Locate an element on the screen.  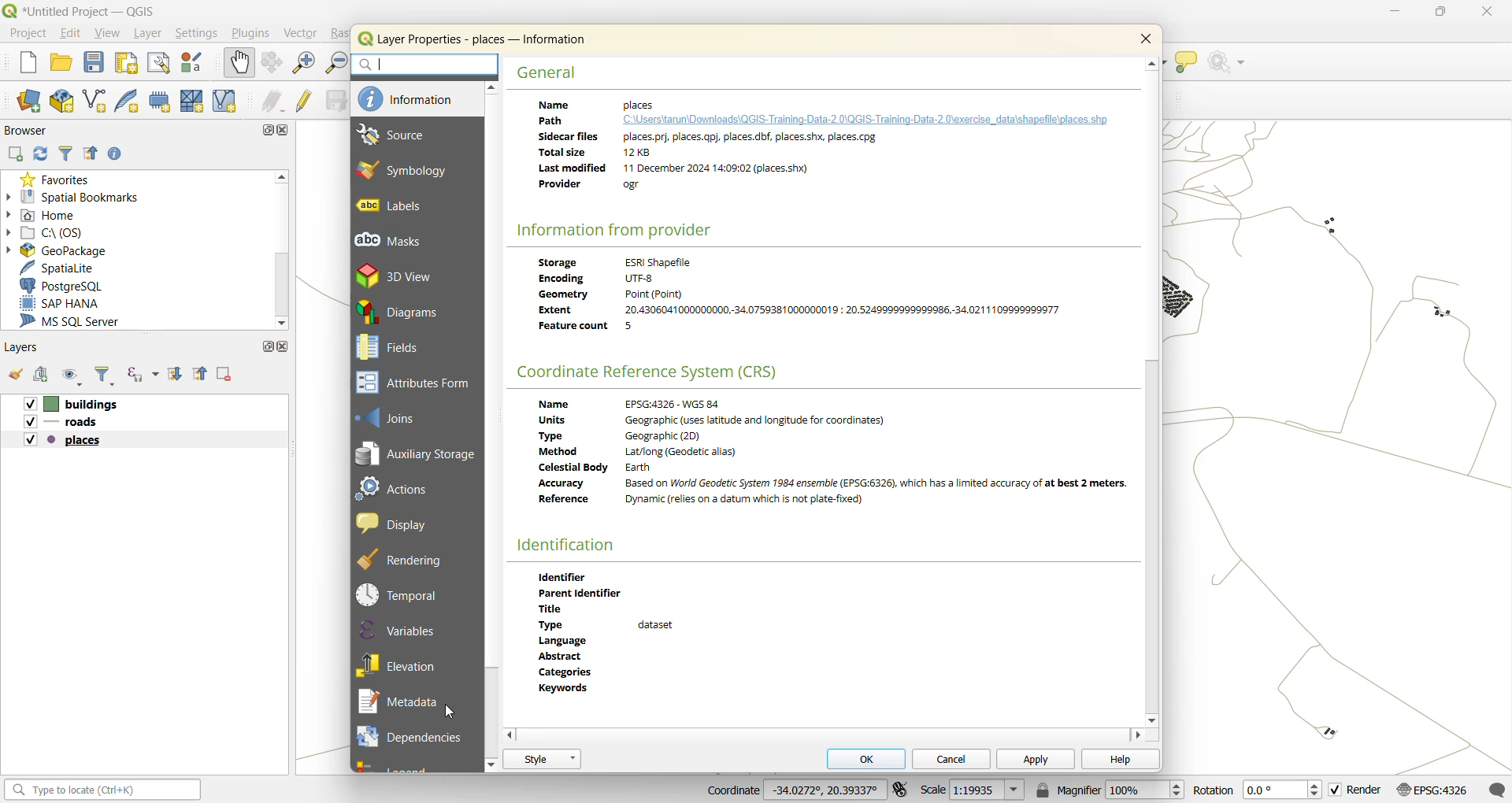
temporal is located at coordinates (399, 592).